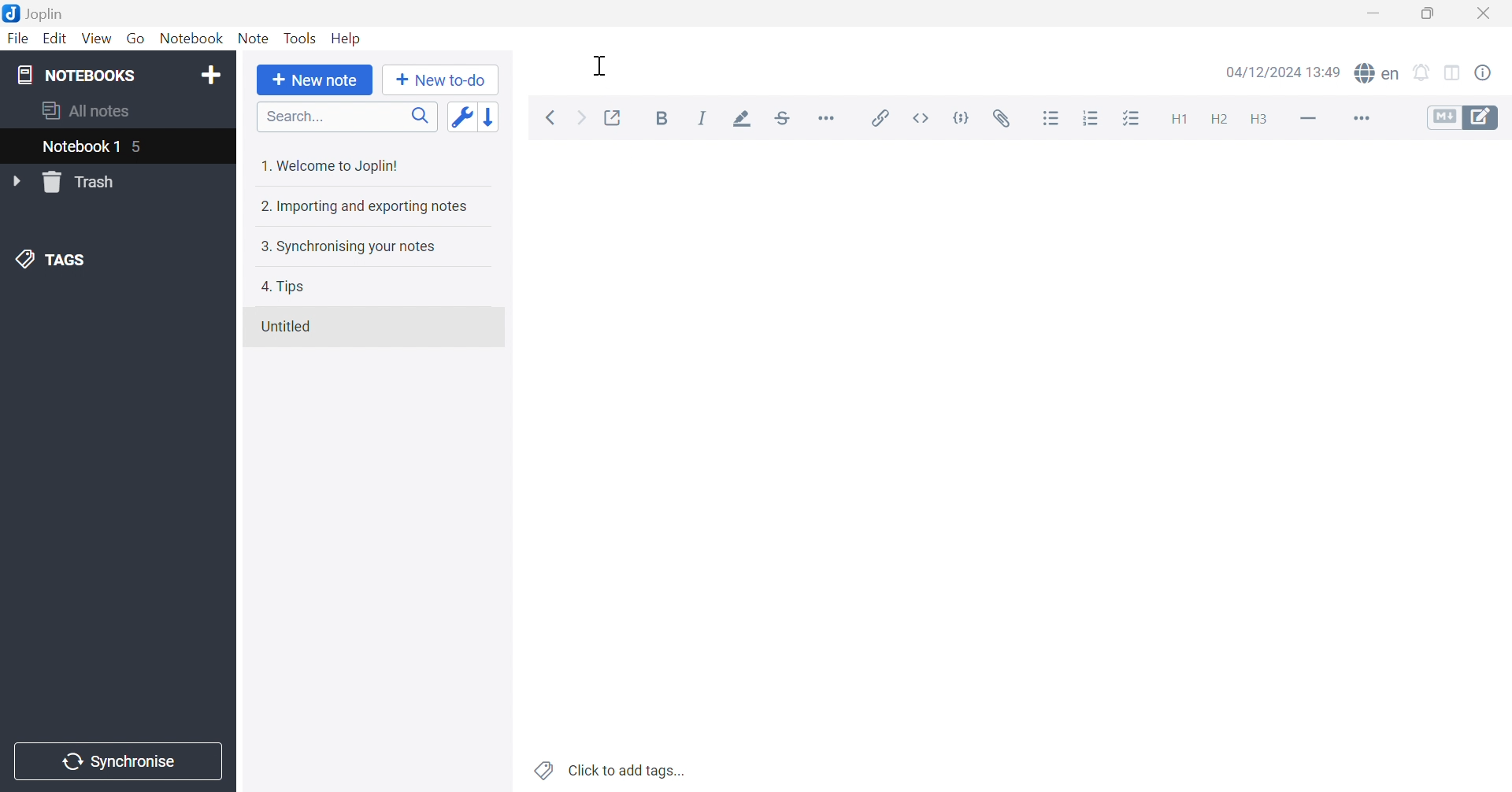 The image size is (1512, 792). Describe the element at coordinates (254, 38) in the screenshot. I see `Note` at that location.